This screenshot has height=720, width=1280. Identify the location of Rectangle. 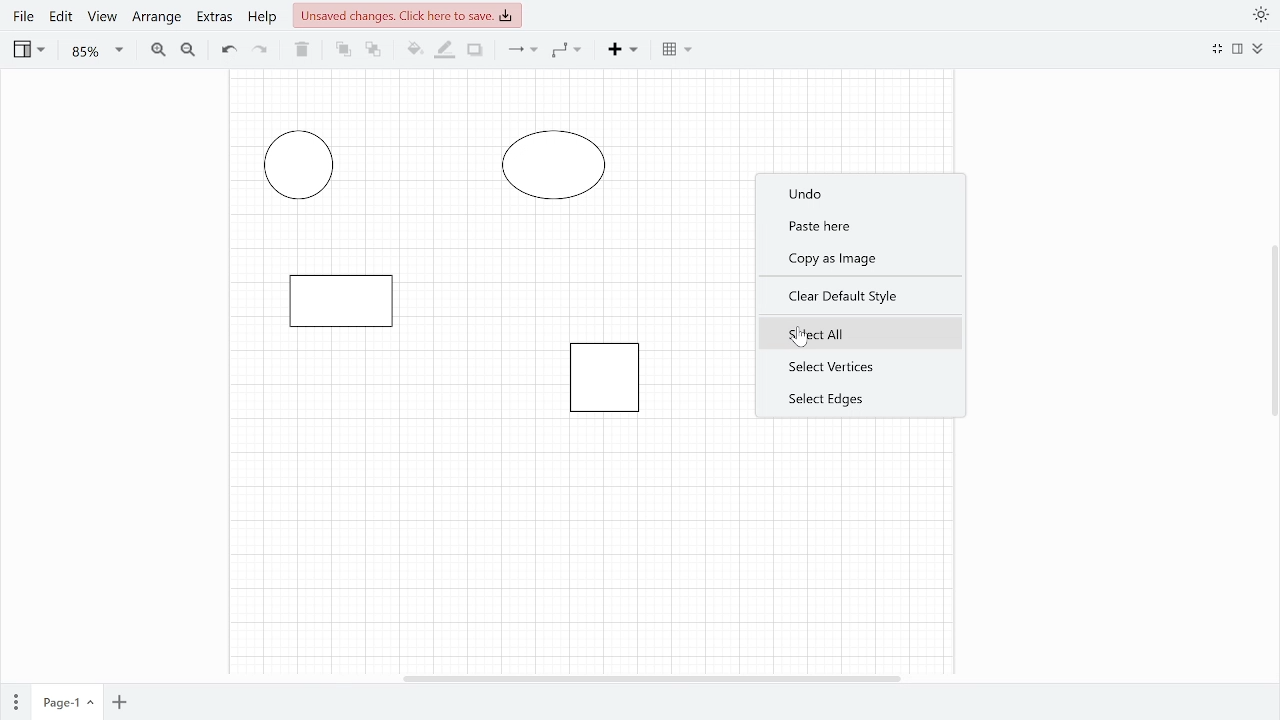
(342, 301).